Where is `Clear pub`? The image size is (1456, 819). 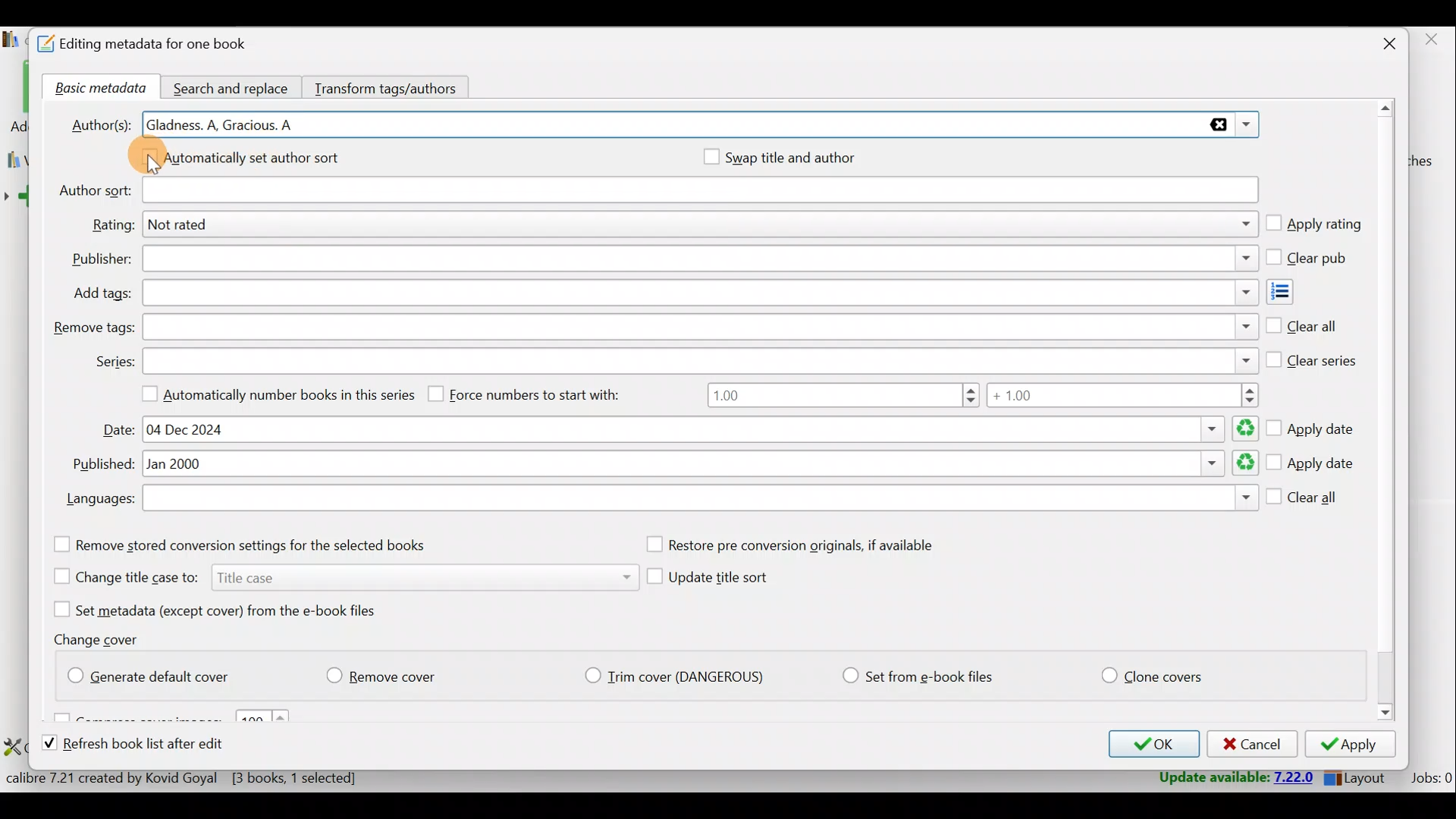 Clear pub is located at coordinates (1310, 259).